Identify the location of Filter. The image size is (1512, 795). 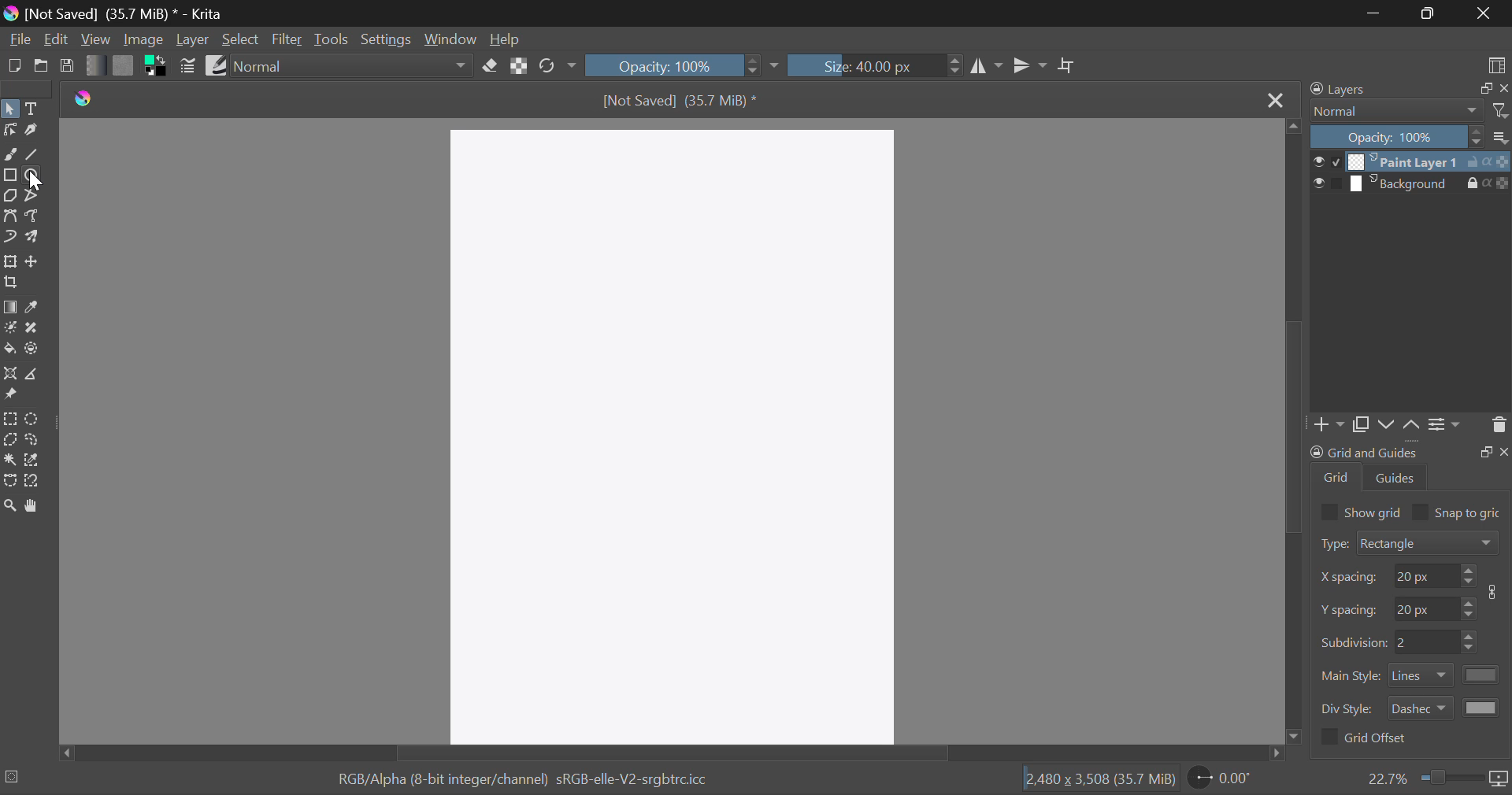
(288, 39).